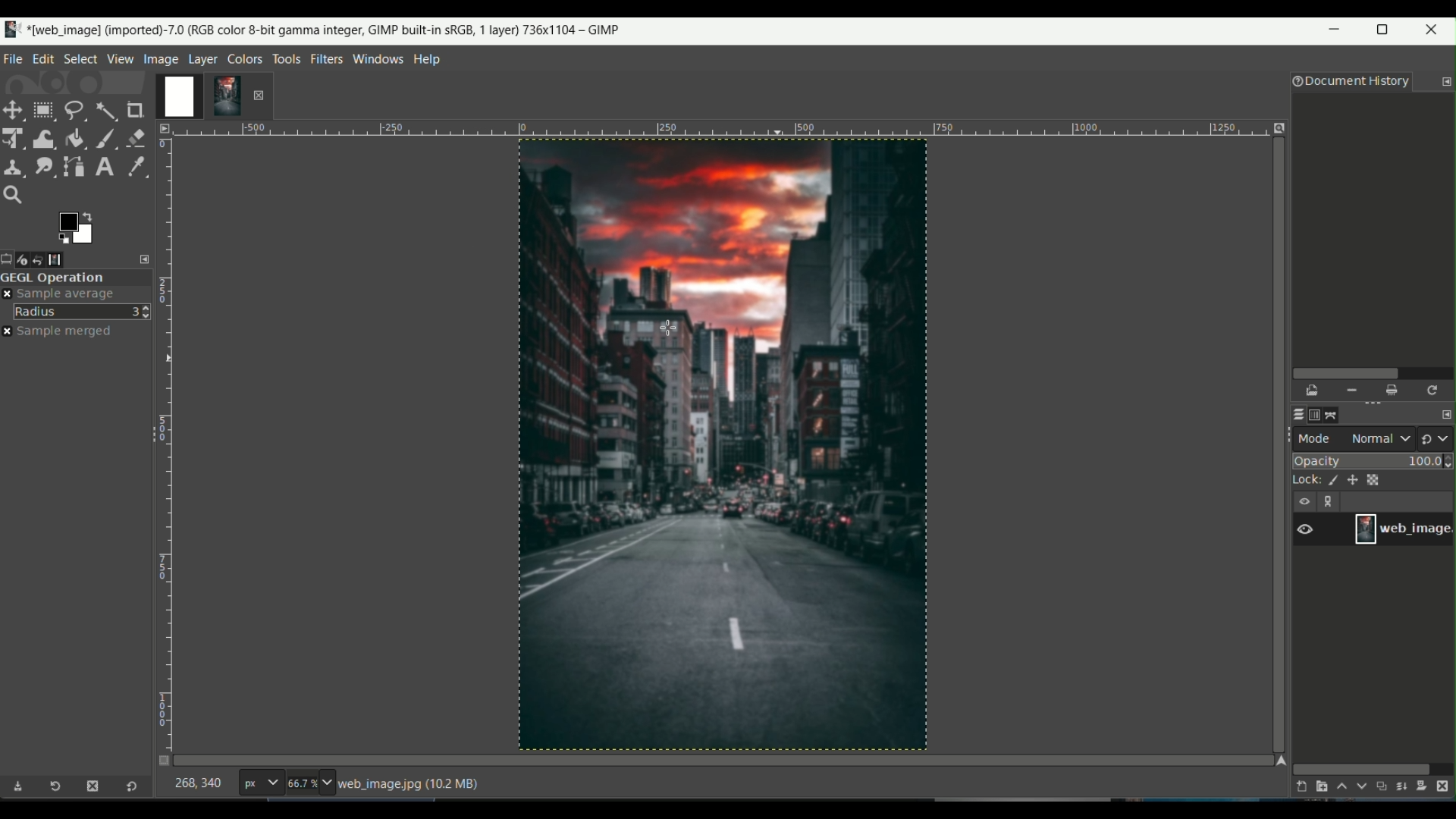  I want to click on configure this tab, so click(146, 259).